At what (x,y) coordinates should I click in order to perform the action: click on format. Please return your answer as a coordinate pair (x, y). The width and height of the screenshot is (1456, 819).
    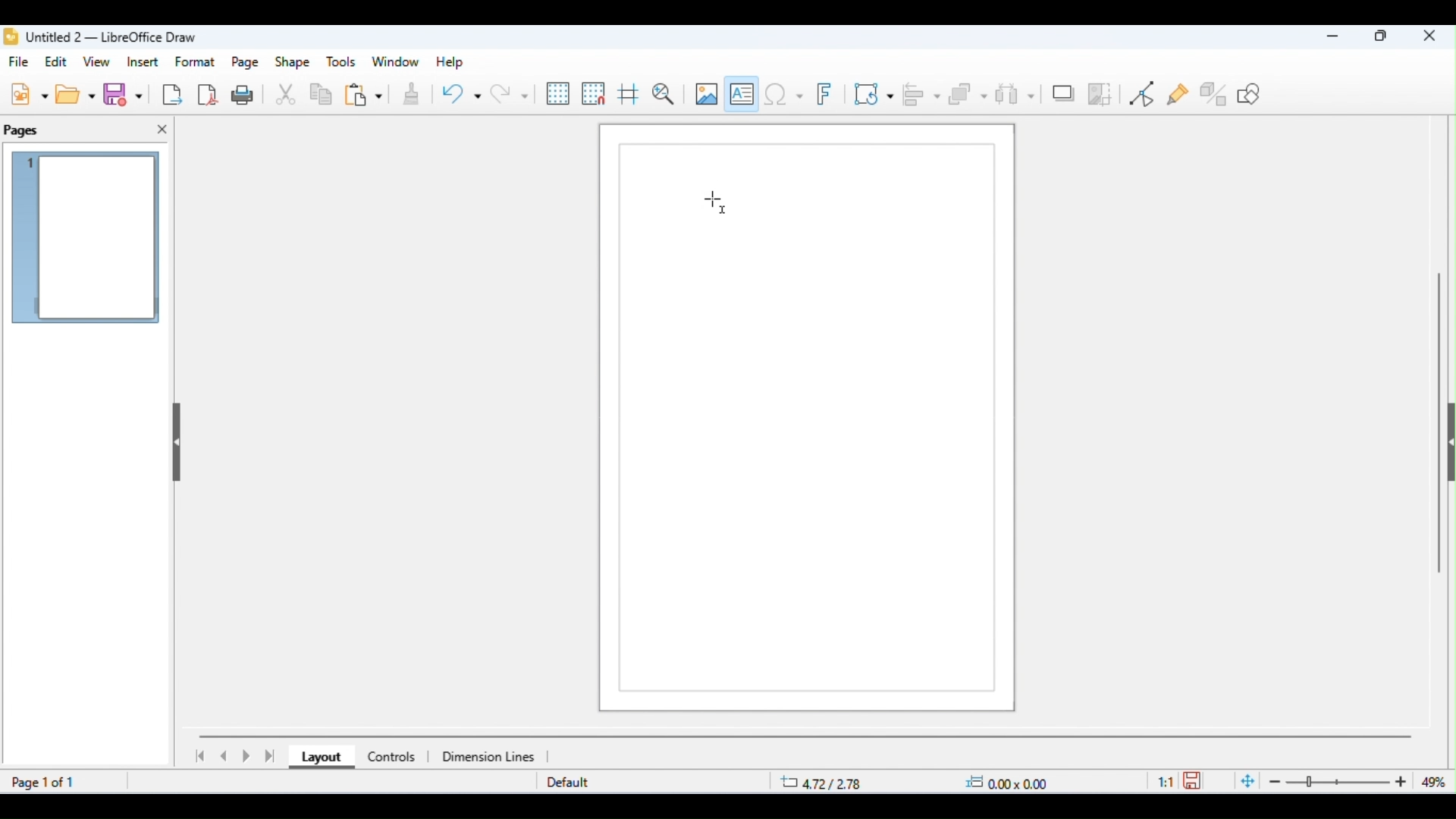
    Looking at the image, I should click on (196, 61).